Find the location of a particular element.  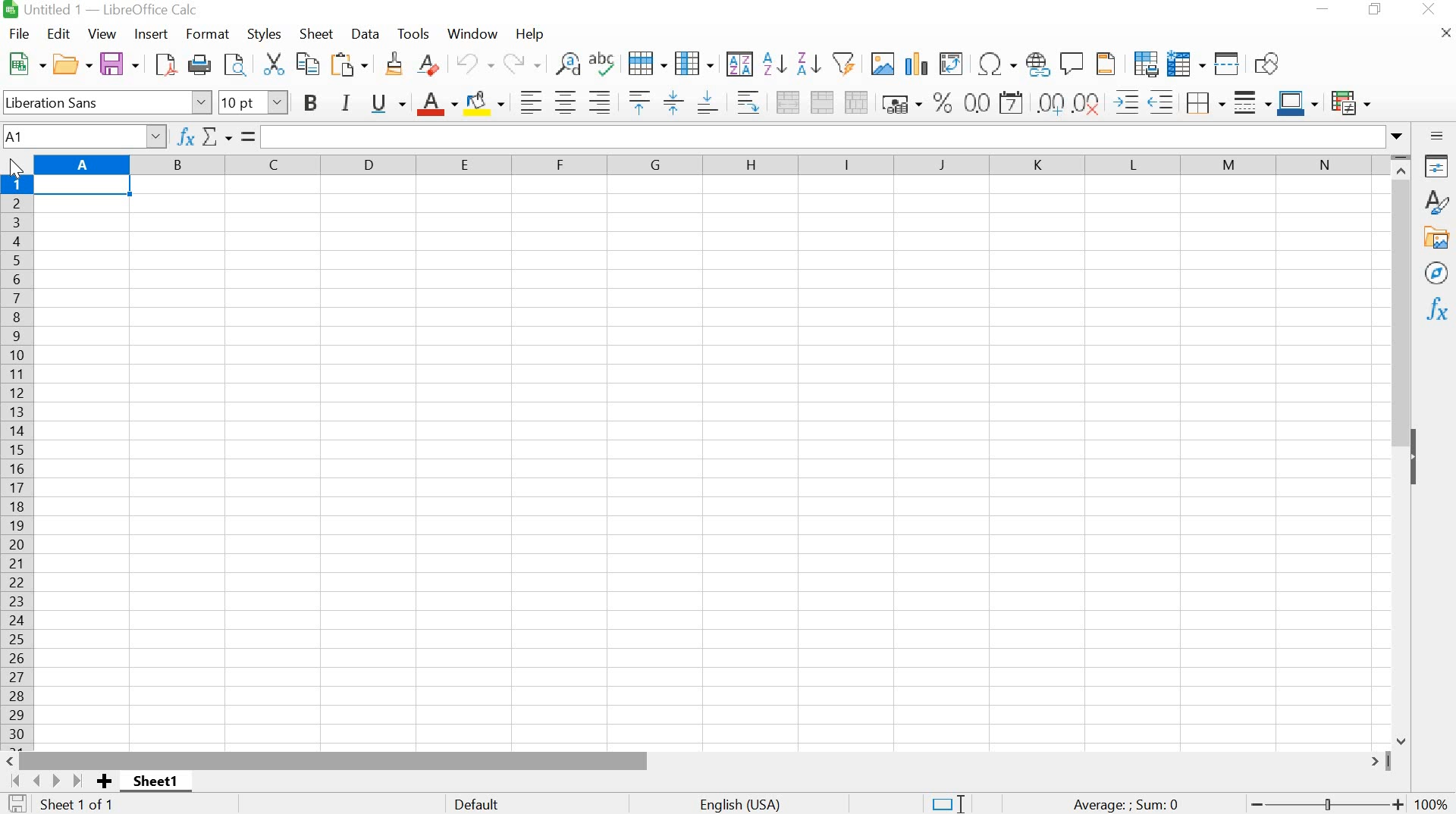

Insert chart is located at coordinates (915, 64).